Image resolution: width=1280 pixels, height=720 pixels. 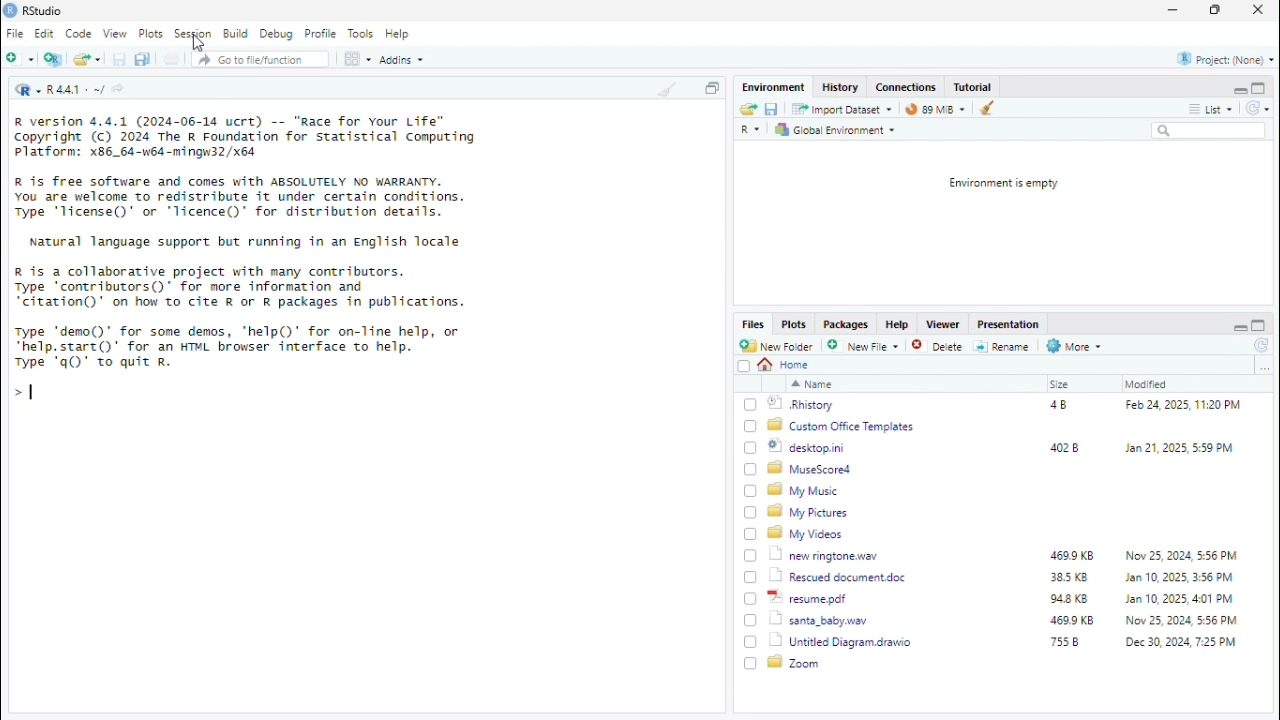 I want to click on desktop.ini 402B Jan 21, 2025, 5:59 PM, so click(x=1004, y=447).